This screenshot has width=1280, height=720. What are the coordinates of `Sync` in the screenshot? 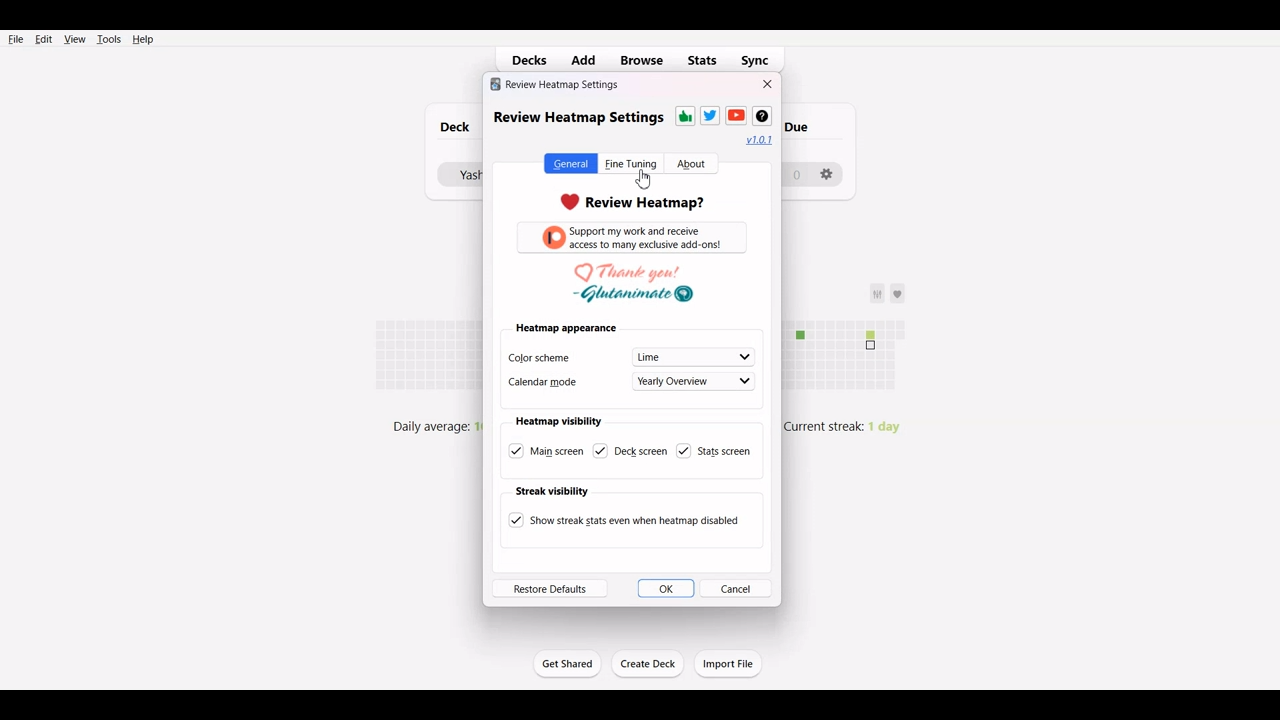 It's located at (761, 60).